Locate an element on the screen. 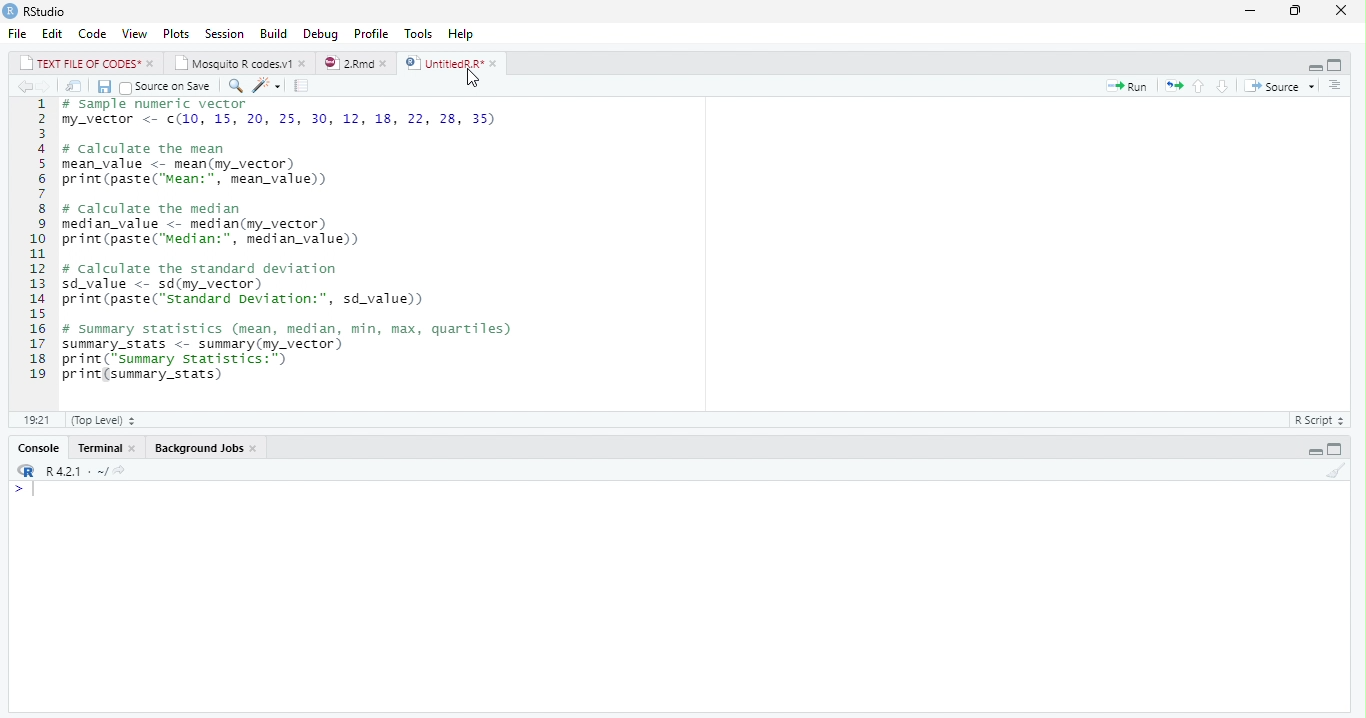 Image resolution: width=1366 pixels, height=718 pixels. line numbers is located at coordinates (33, 239).